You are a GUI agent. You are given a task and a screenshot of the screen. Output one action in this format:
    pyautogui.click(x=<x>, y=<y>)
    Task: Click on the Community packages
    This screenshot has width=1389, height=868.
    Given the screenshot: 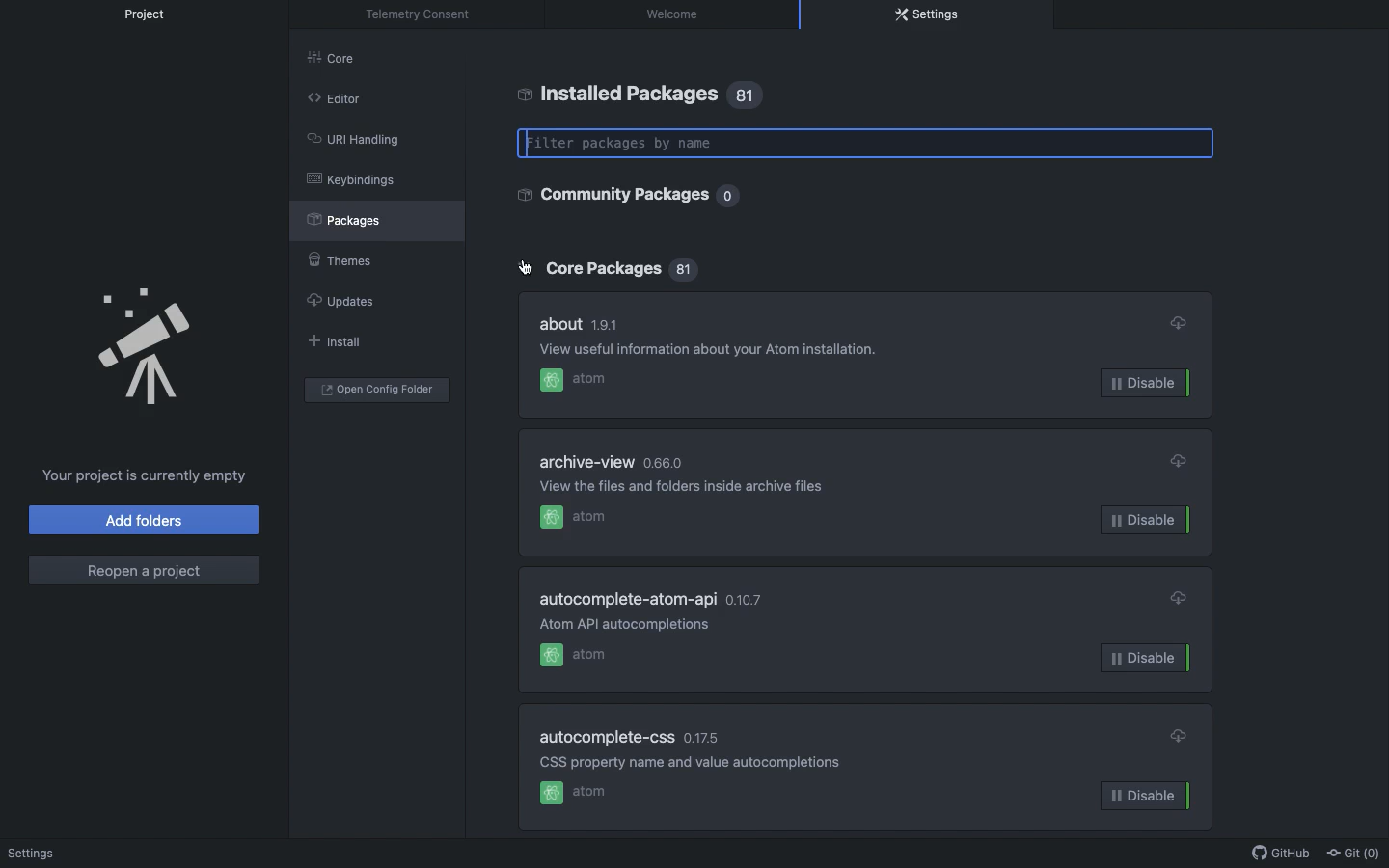 What is the action you would take?
    pyautogui.click(x=610, y=194)
    